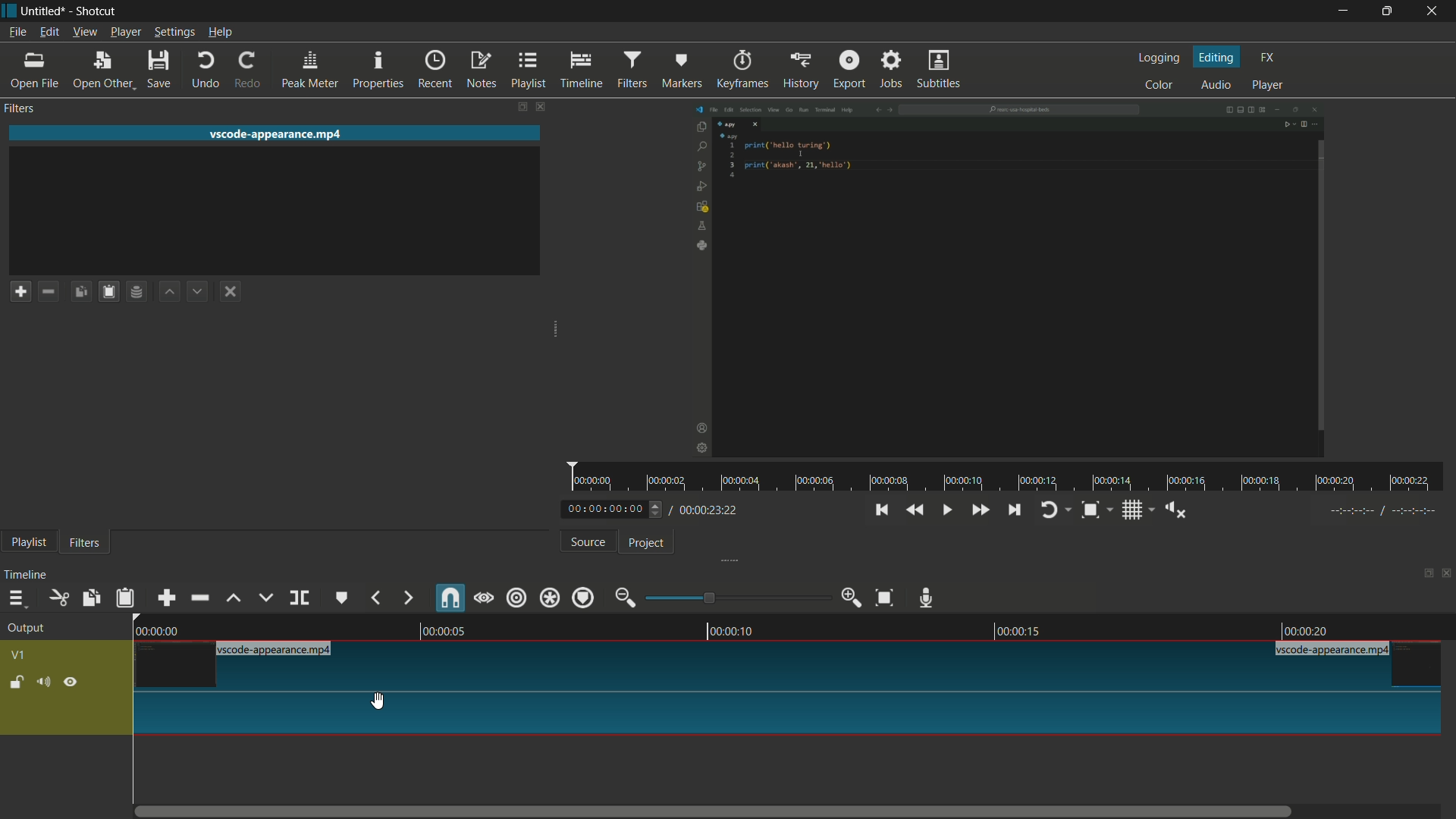 The width and height of the screenshot is (1456, 819). Describe the element at coordinates (736, 597) in the screenshot. I see `adjustment bar` at that location.